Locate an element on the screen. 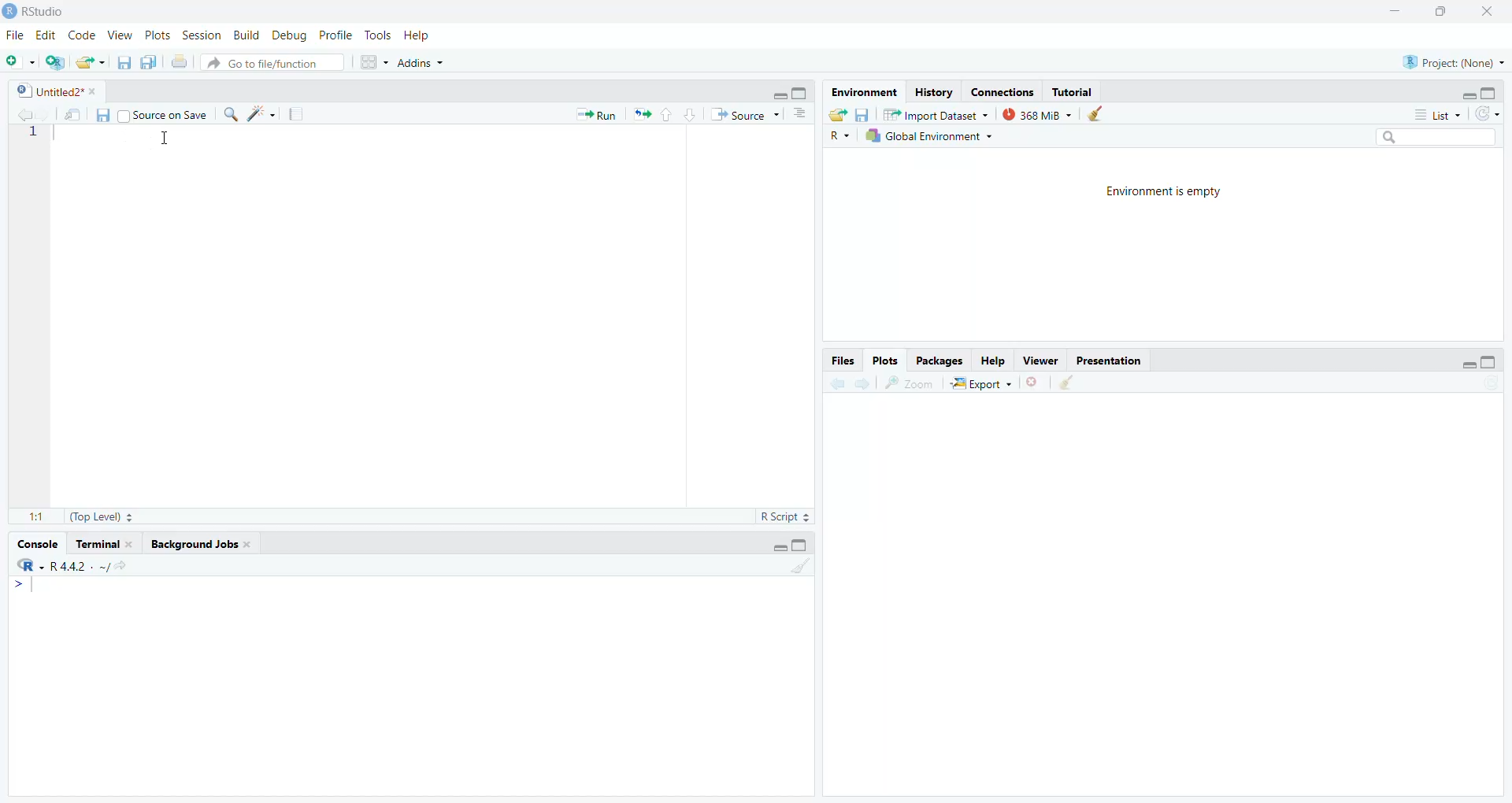 This screenshot has height=803, width=1512. RStudio is located at coordinates (38, 9).